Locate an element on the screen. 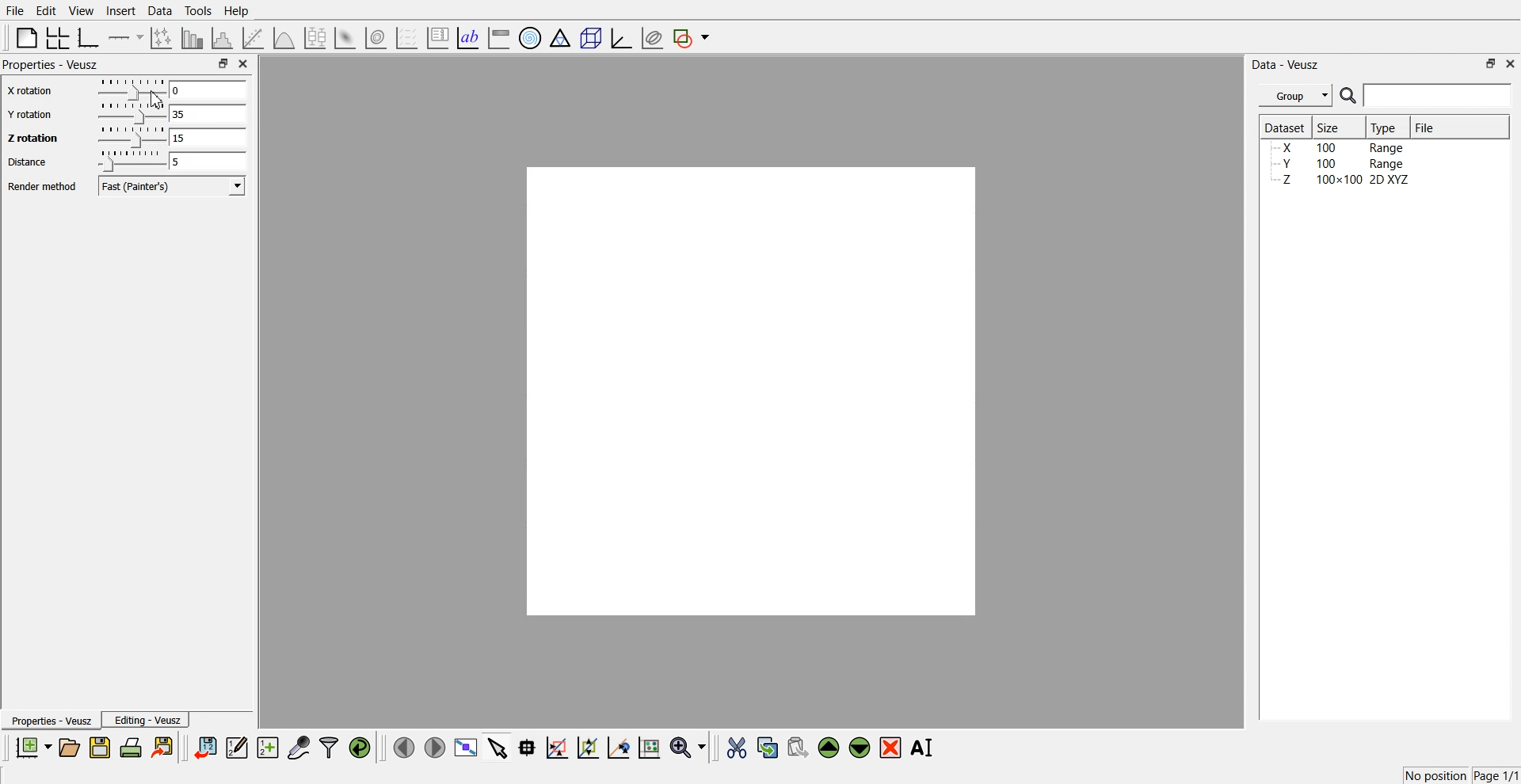 Image resolution: width=1521 pixels, height=784 pixels. 3D Volume is located at coordinates (375, 38).